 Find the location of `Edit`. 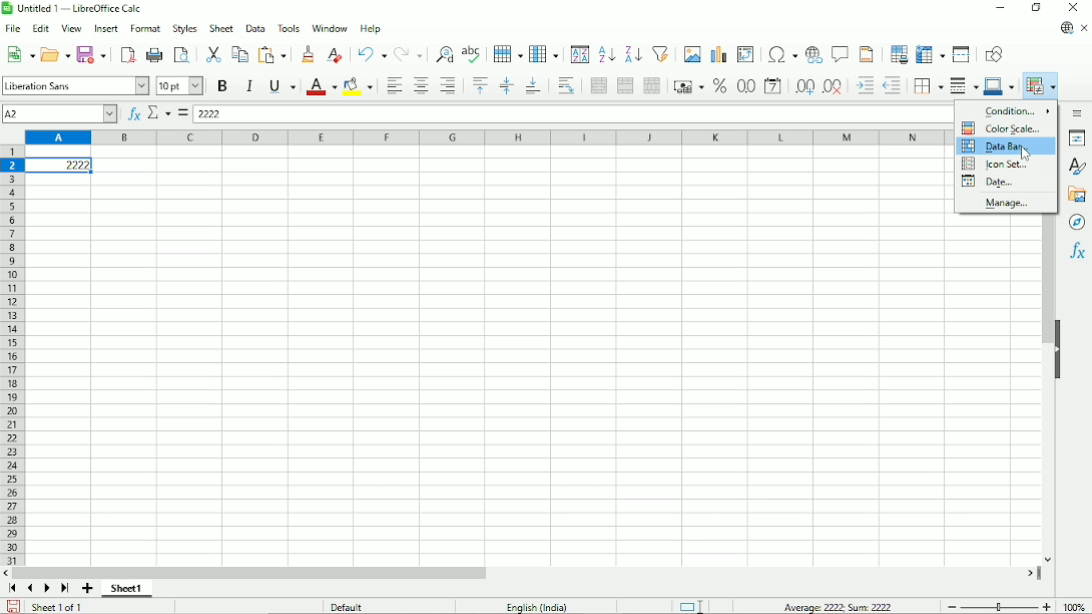

Edit is located at coordinates (40, 28).